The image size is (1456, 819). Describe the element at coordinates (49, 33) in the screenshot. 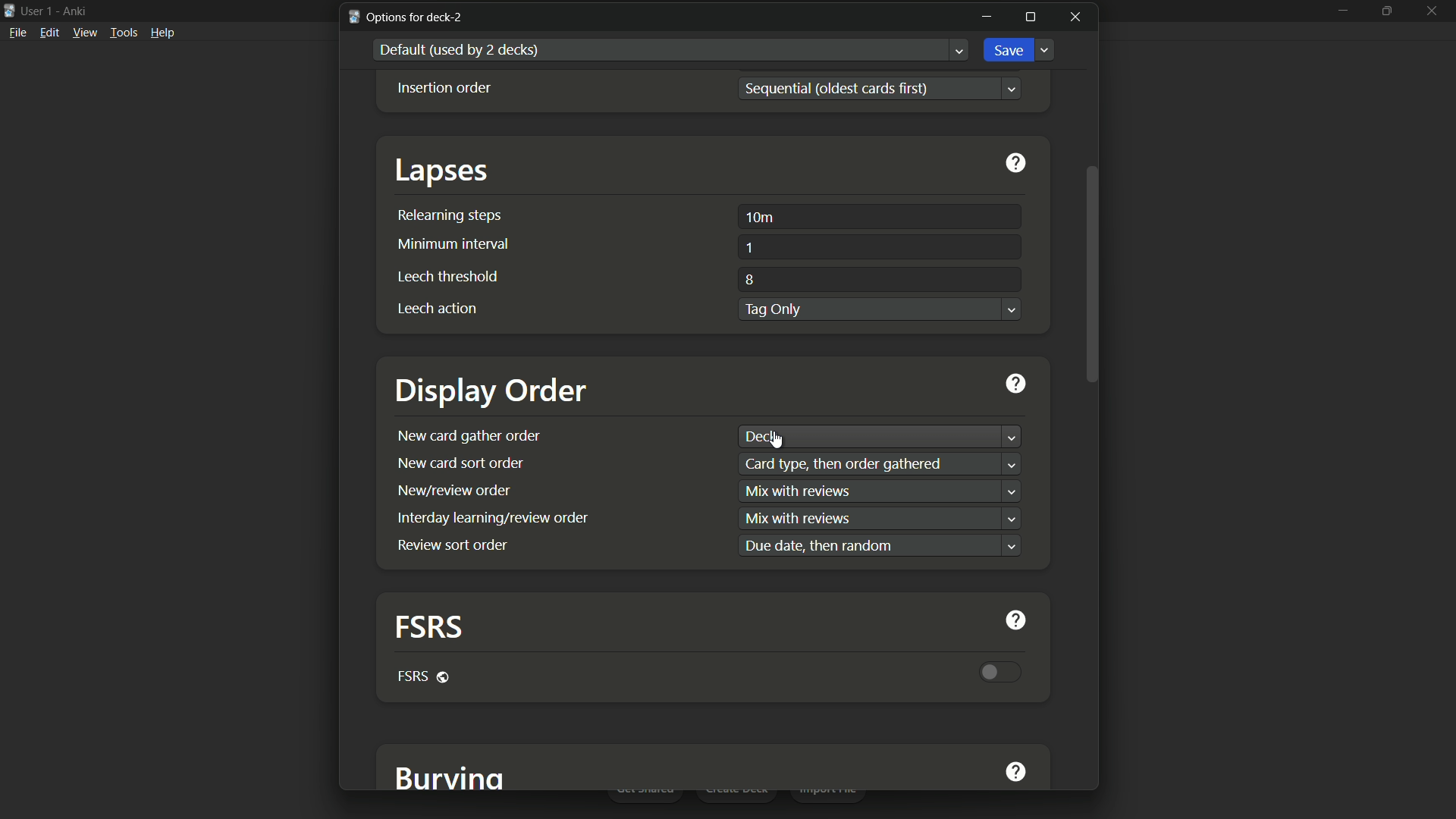

I see `edit menu` at that location.